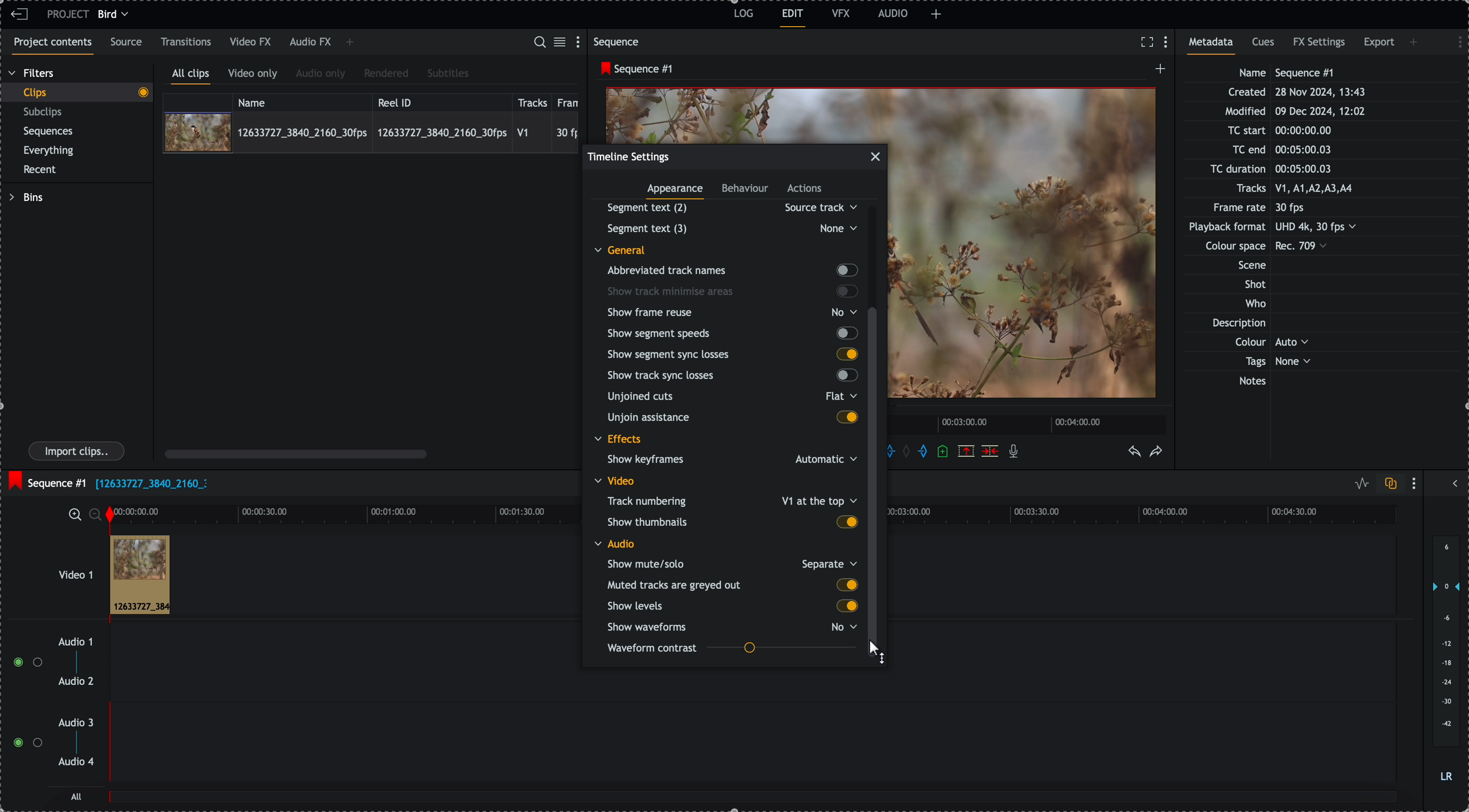  What do you see at coordinates (78, 452) in the screenshot?
I see `import clips button` at bounding box center [78, 452].